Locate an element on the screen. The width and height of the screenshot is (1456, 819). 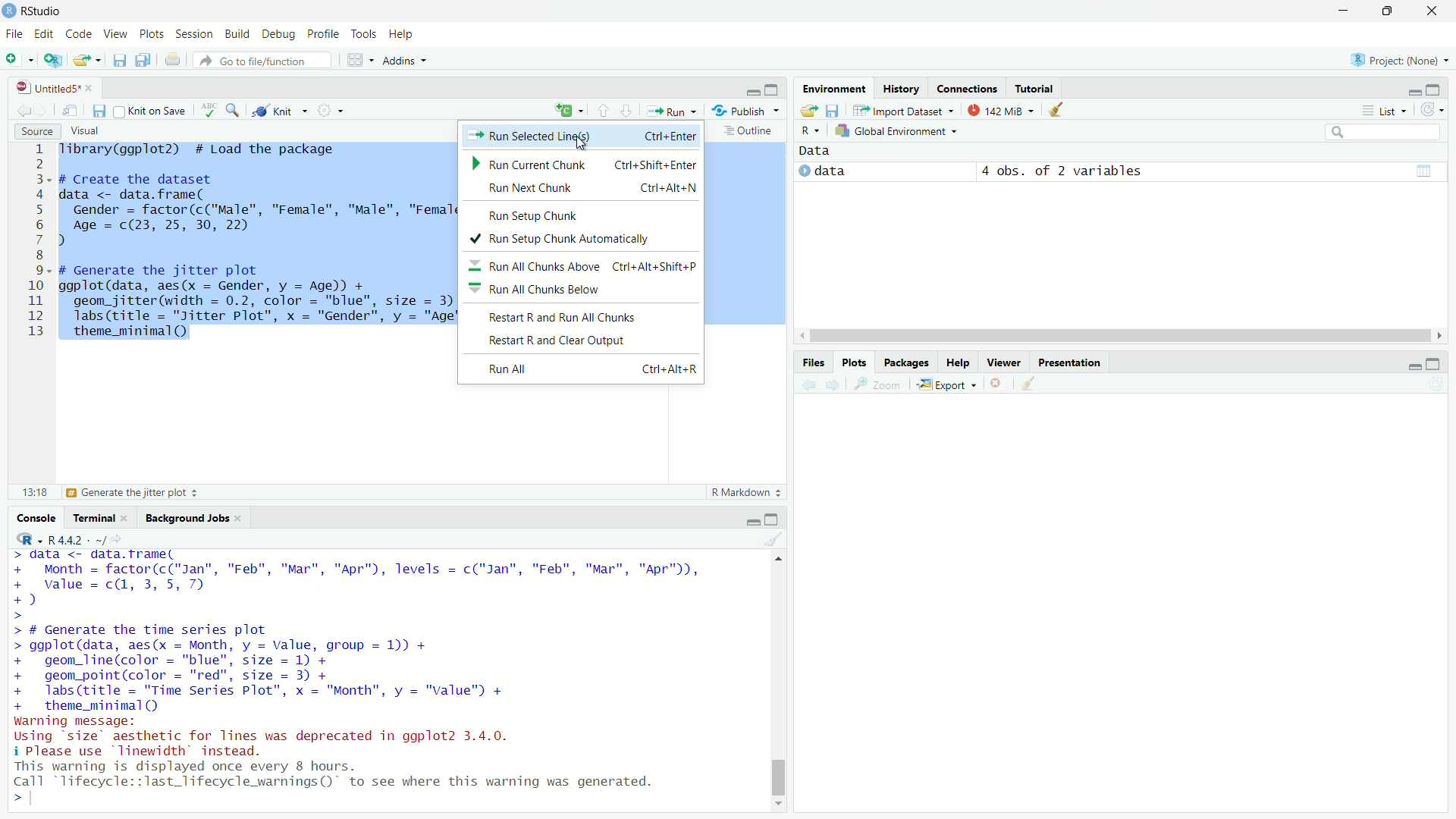
typing cursor is located at coordinates (44, 803).